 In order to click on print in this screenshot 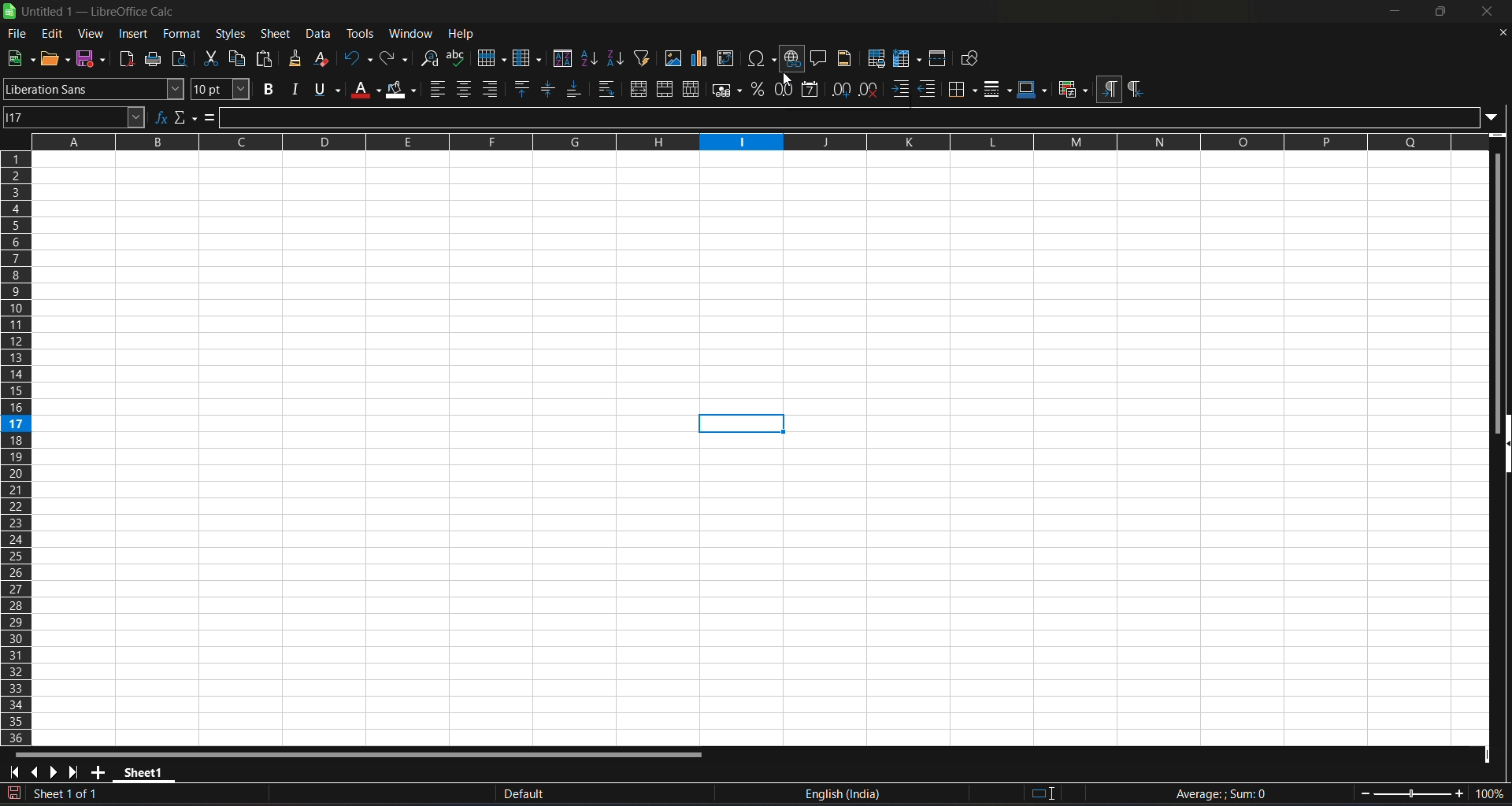, I will do `click(157, 58)`.